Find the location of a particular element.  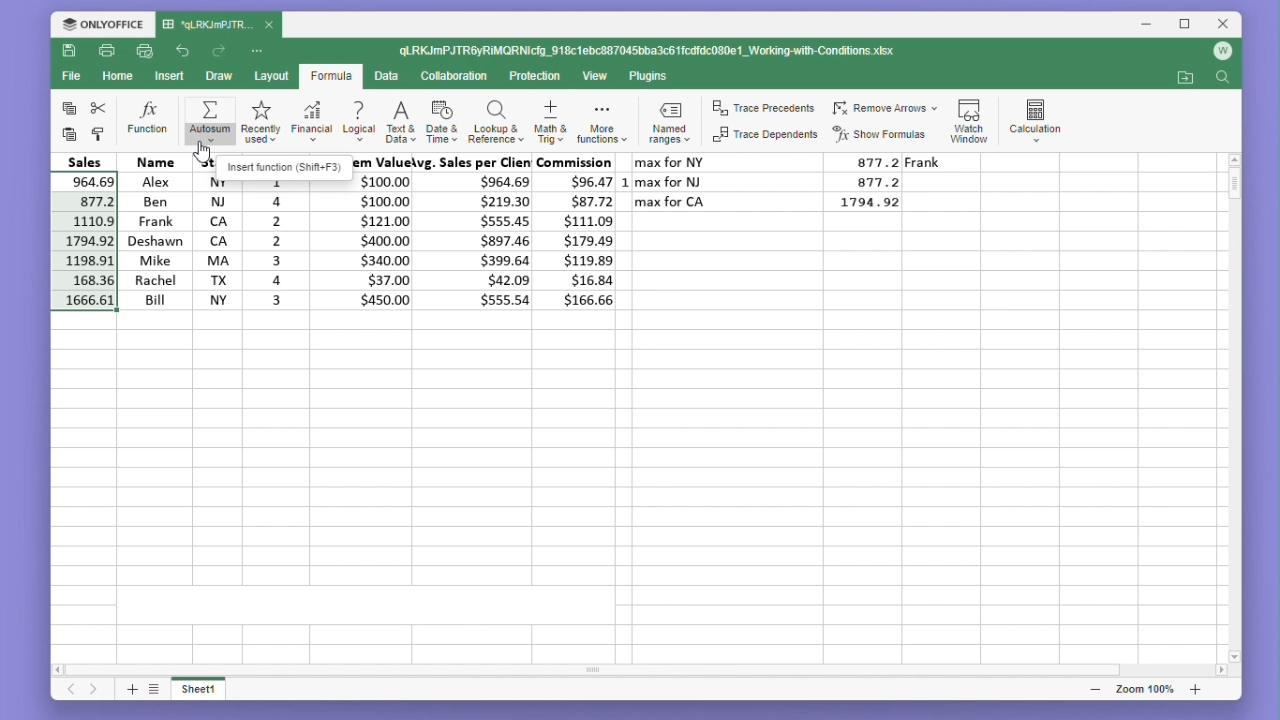

Previous sheet is located at coordinates (64, 693).